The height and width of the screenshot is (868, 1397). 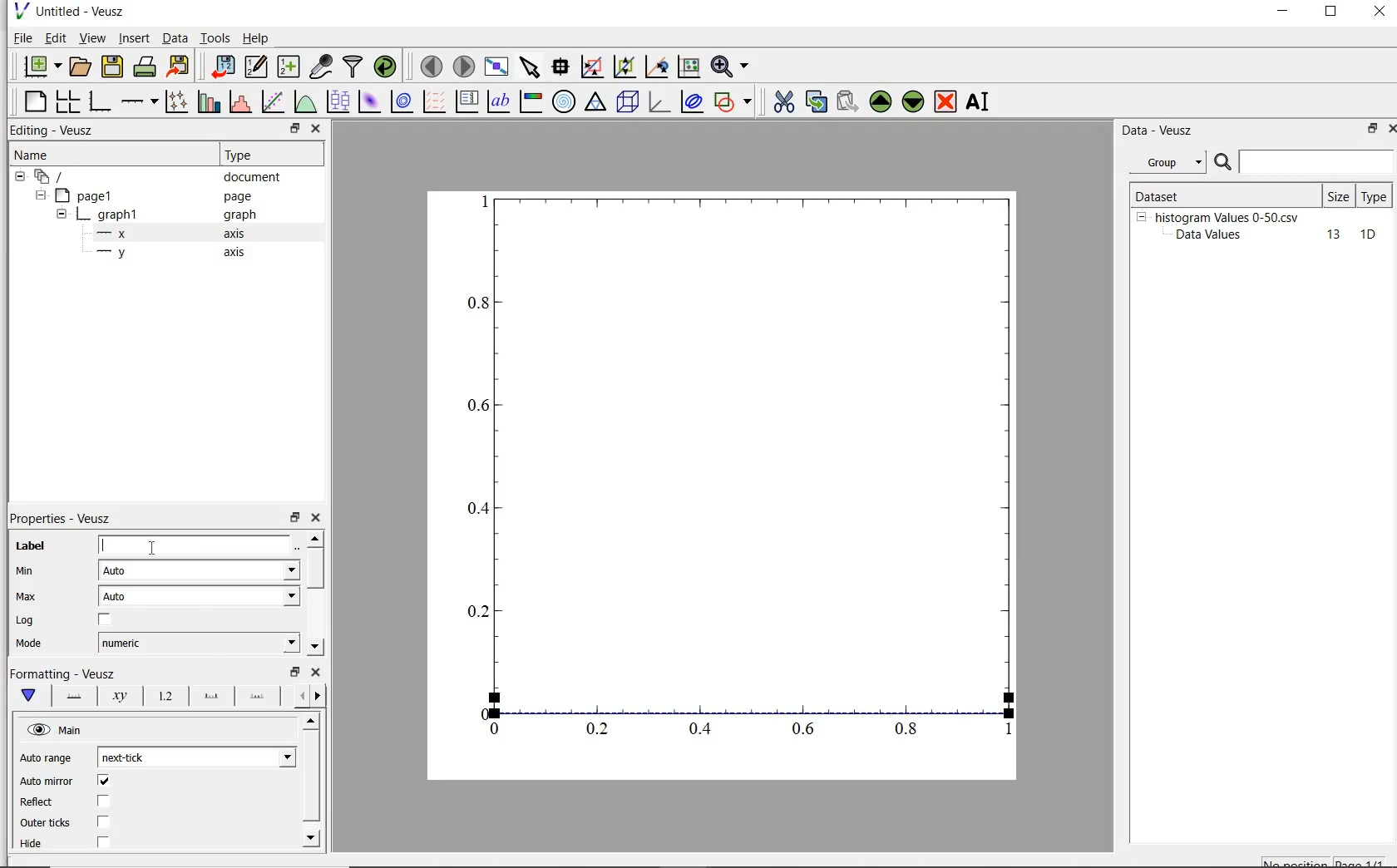 What do you see at coordinates (321, 67) in the screenshot?
I see `capture remote data` at bounding box center [321, 67].